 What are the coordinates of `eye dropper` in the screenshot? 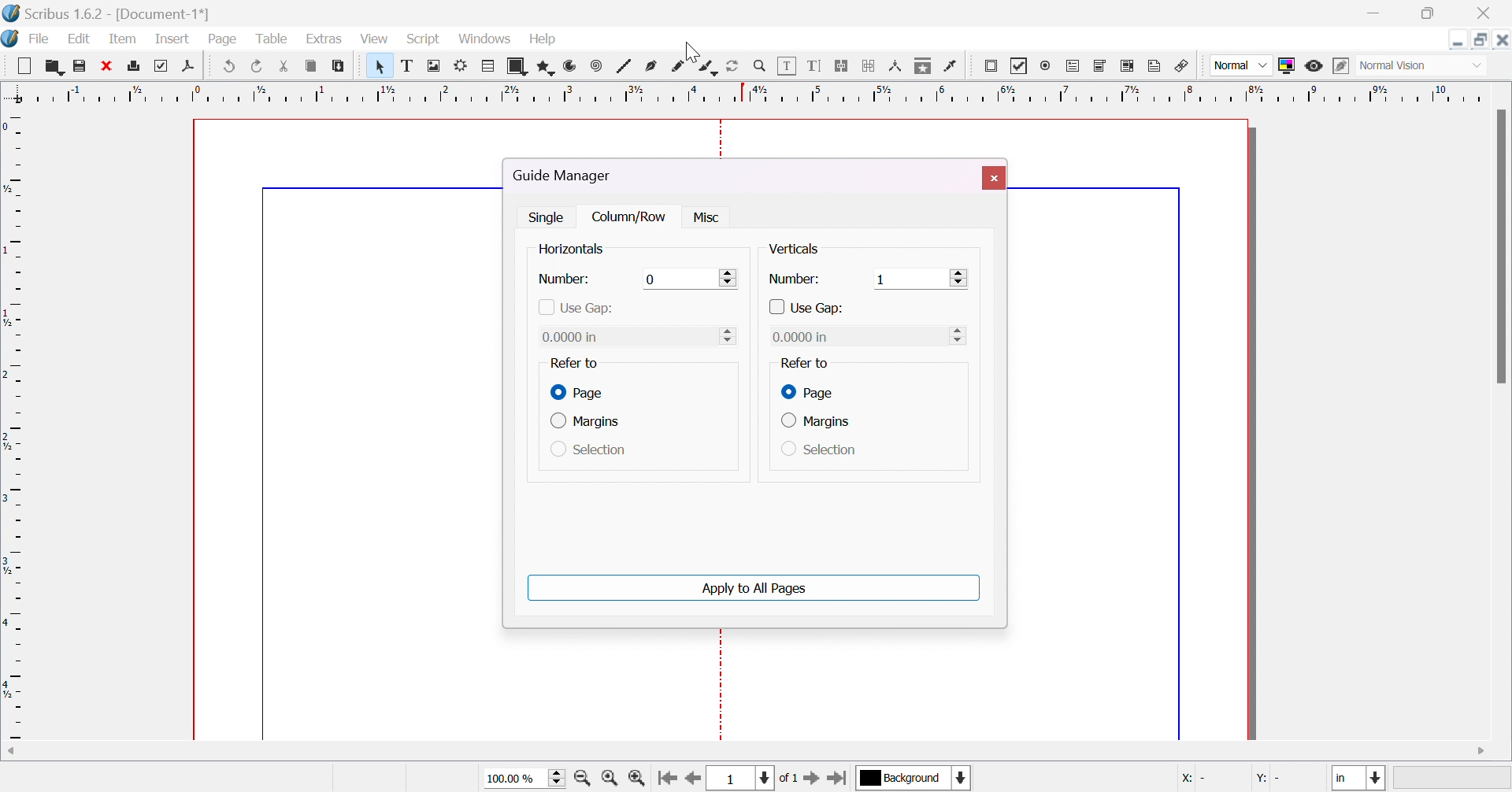 It's located at (953, 68).